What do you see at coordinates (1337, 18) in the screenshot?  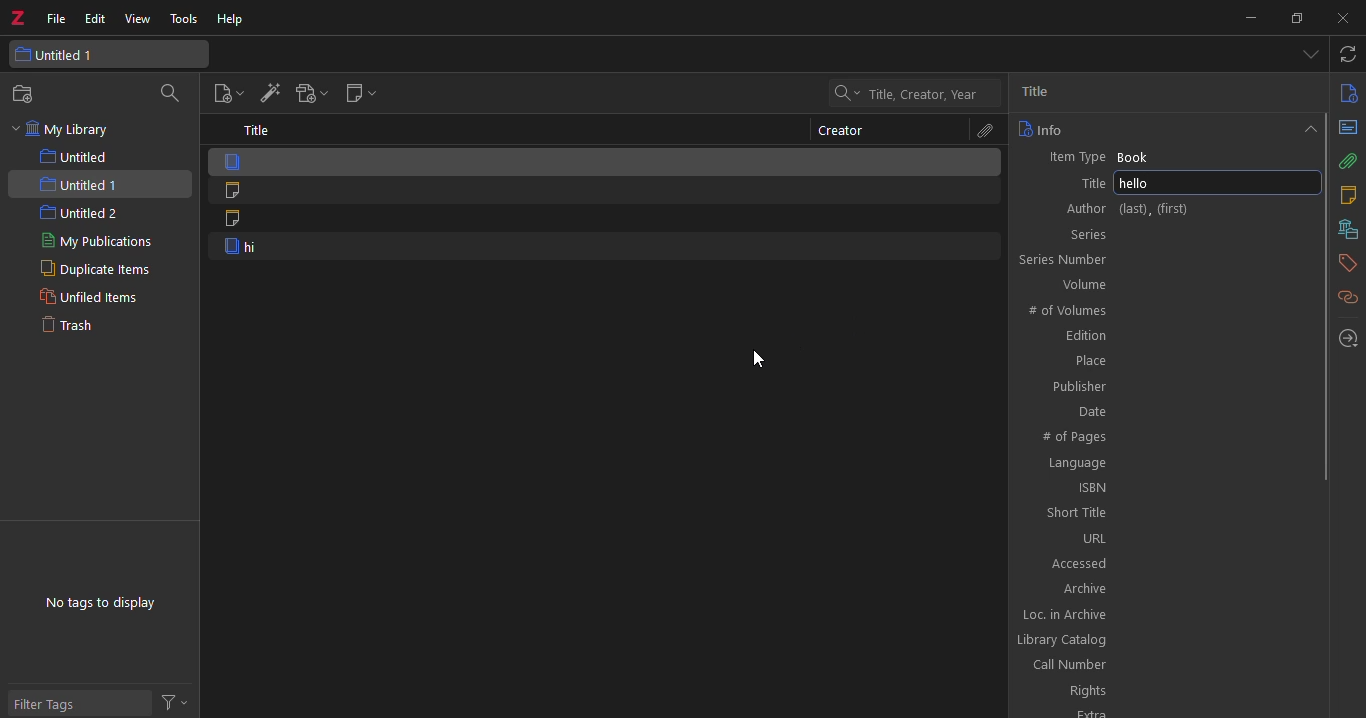 I see `close` at bounding box center [1337, 18].